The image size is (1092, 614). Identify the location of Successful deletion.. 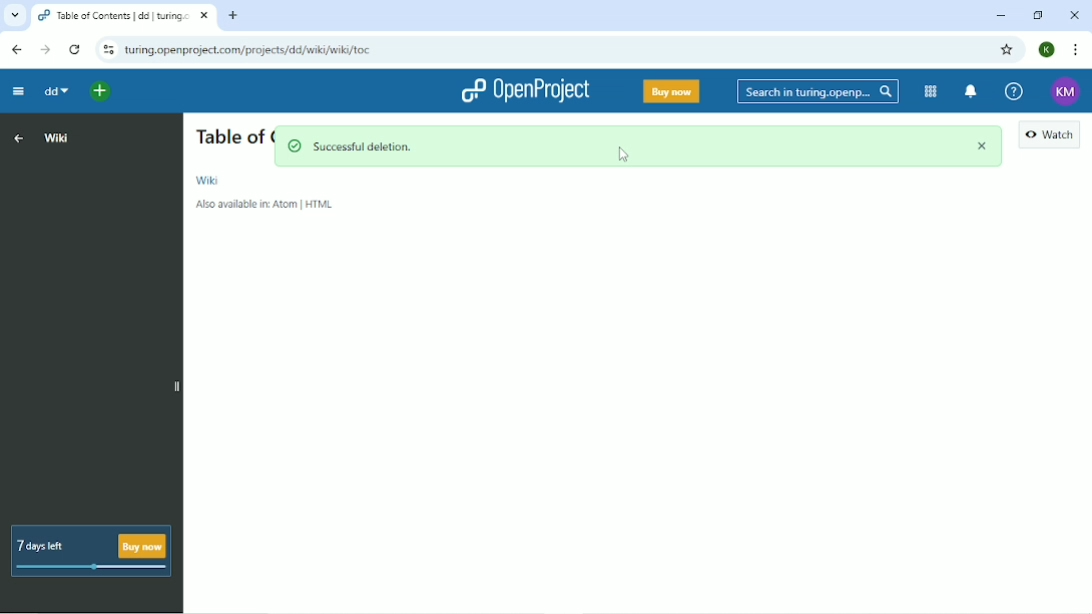
(638, 147).